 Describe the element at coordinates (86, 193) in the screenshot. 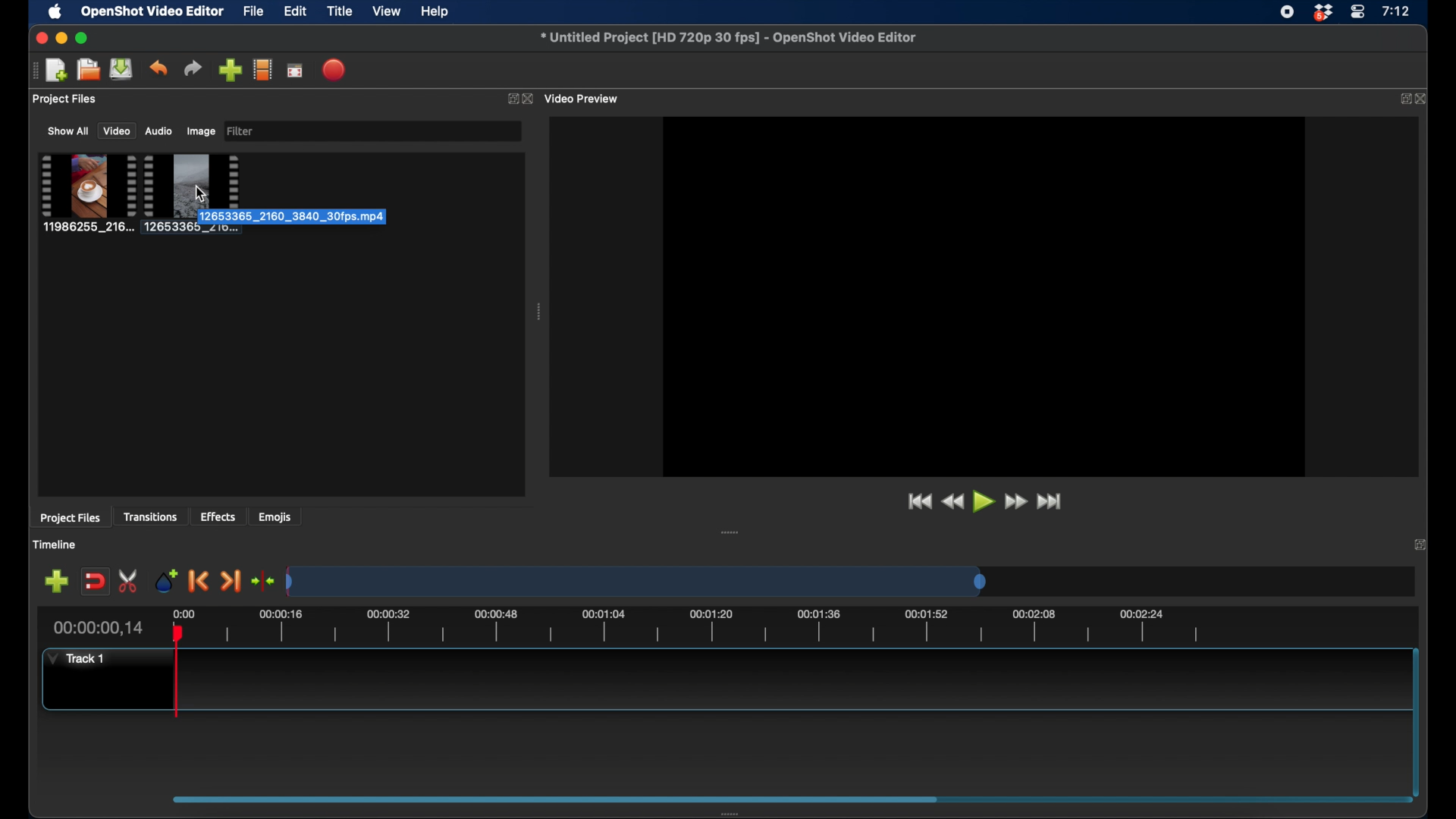

I see `clip` at that location.